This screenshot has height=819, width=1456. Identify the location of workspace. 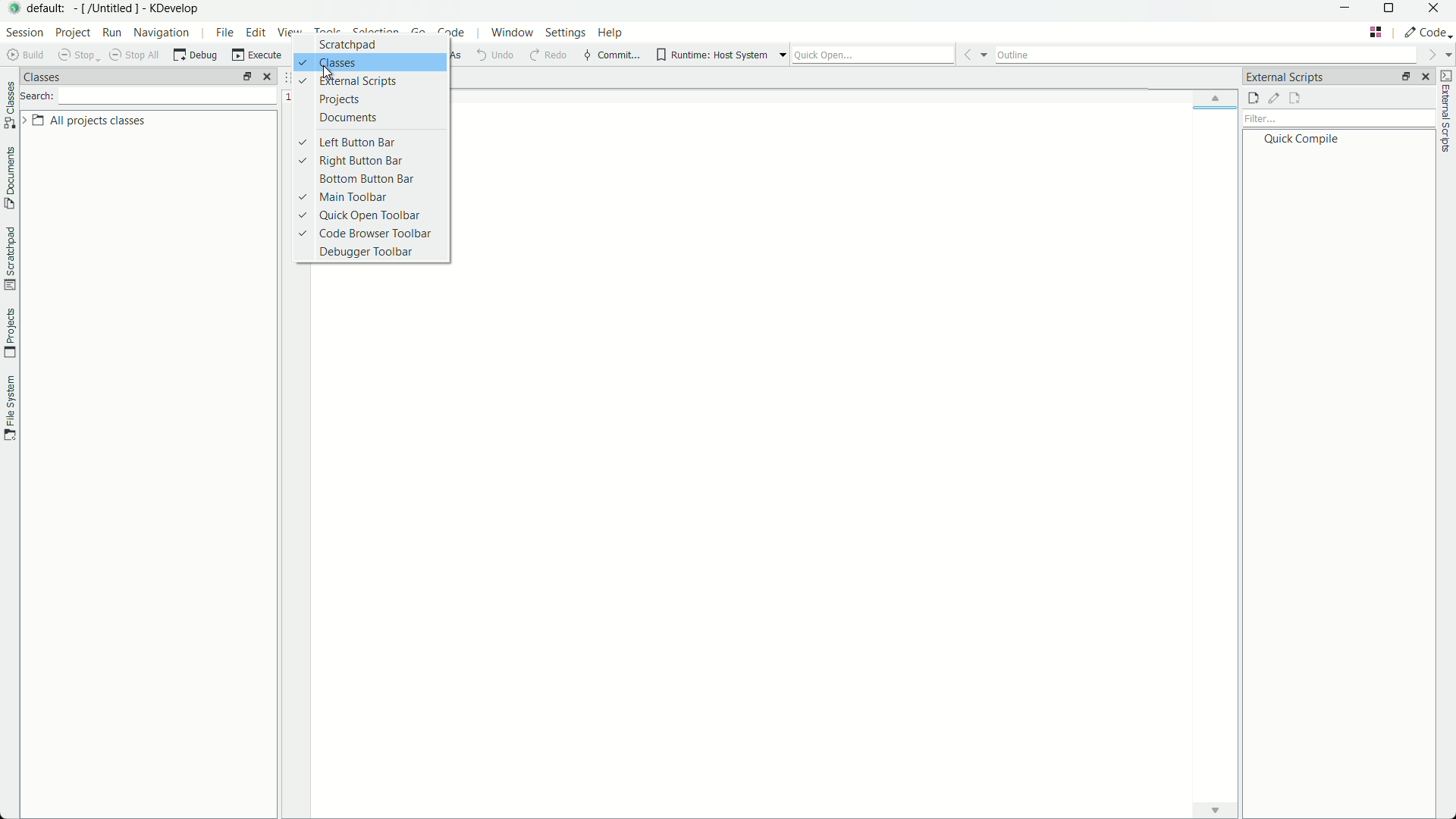
(779, 539).